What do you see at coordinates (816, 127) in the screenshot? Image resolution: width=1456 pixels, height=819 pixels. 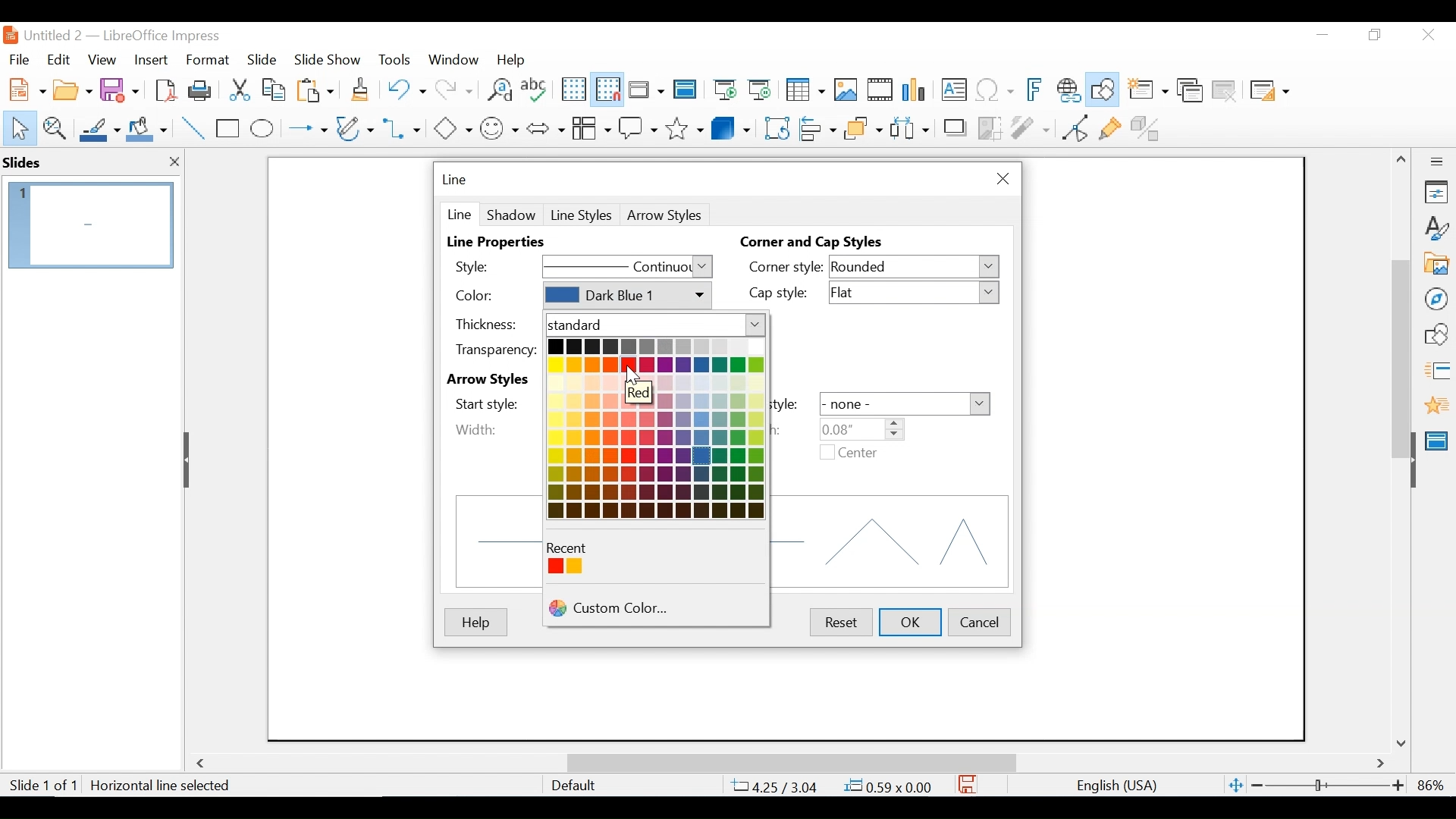 I see `Align Objects` at bounding box center [816, 127].